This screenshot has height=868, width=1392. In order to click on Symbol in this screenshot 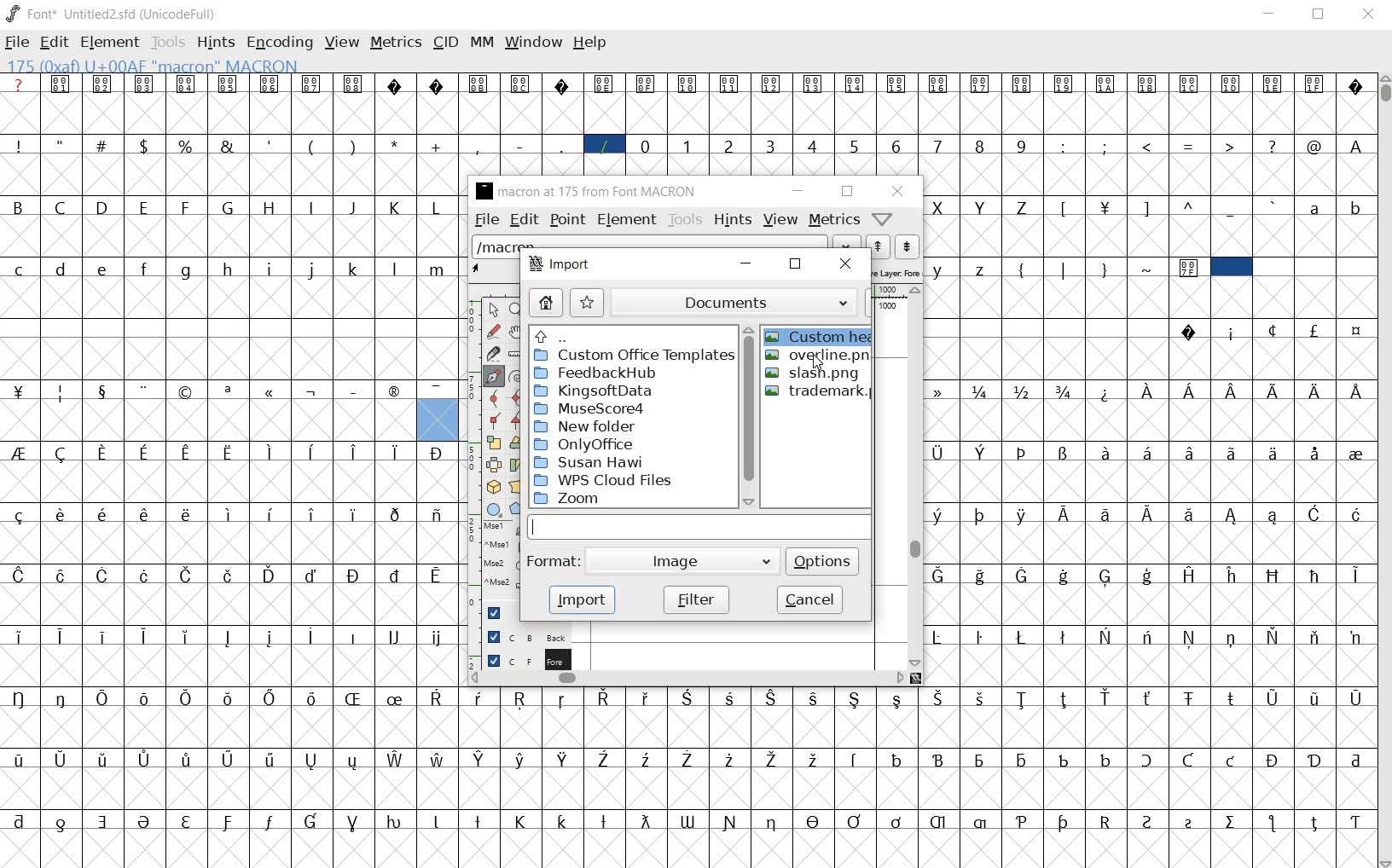, I will do `click(229, 84)`.